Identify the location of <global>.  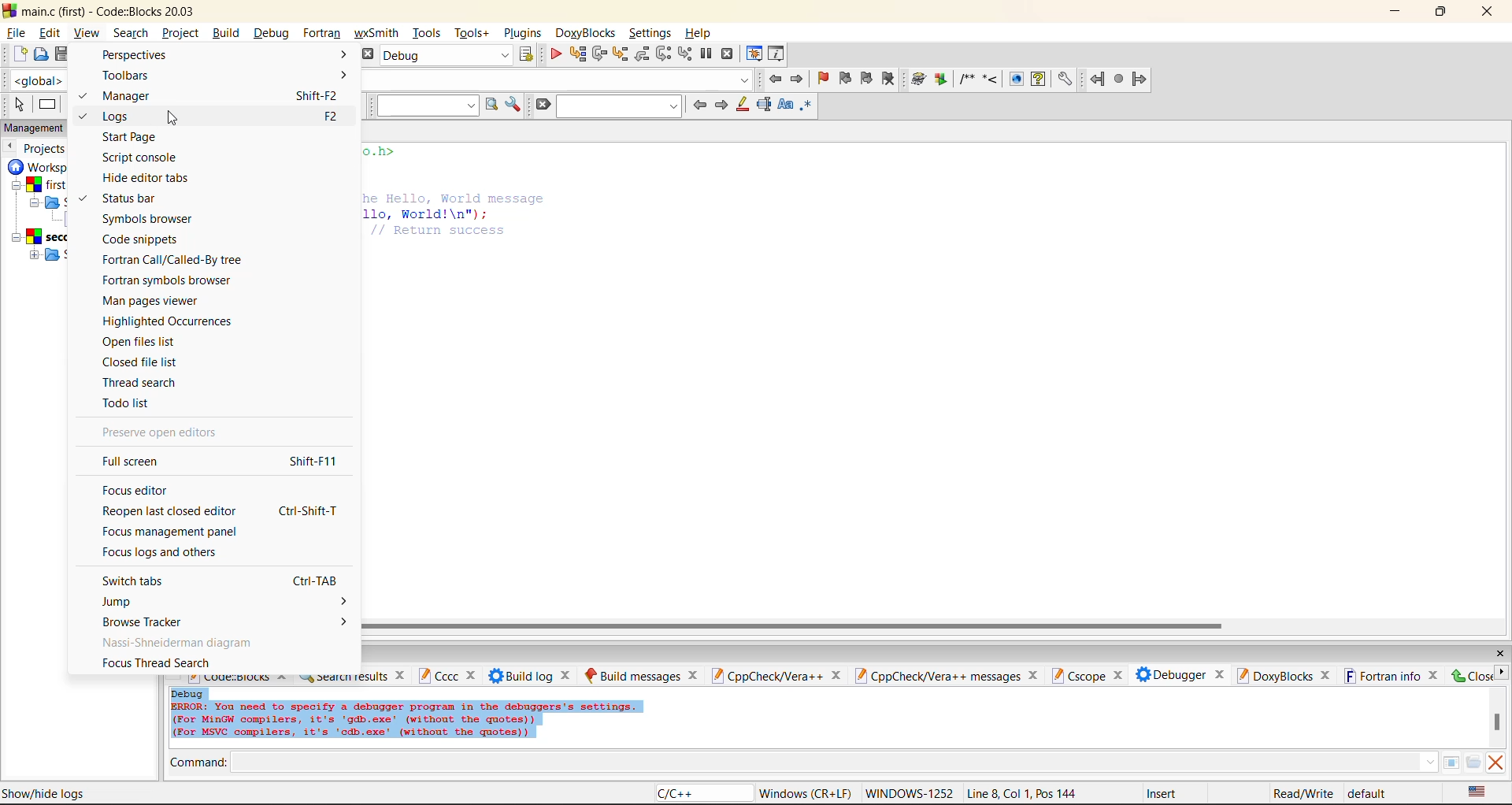
(32, 80).